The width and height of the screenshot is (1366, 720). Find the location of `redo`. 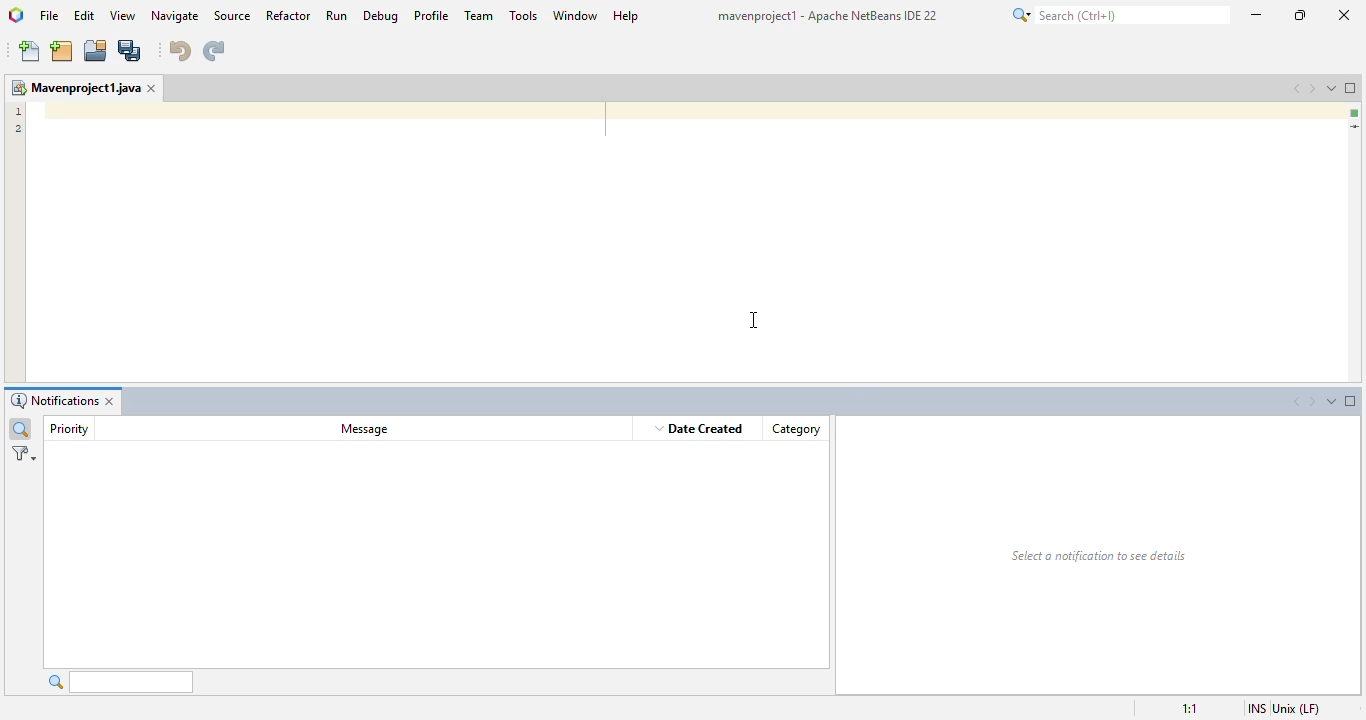

redo is located at coordinates (213, 51).